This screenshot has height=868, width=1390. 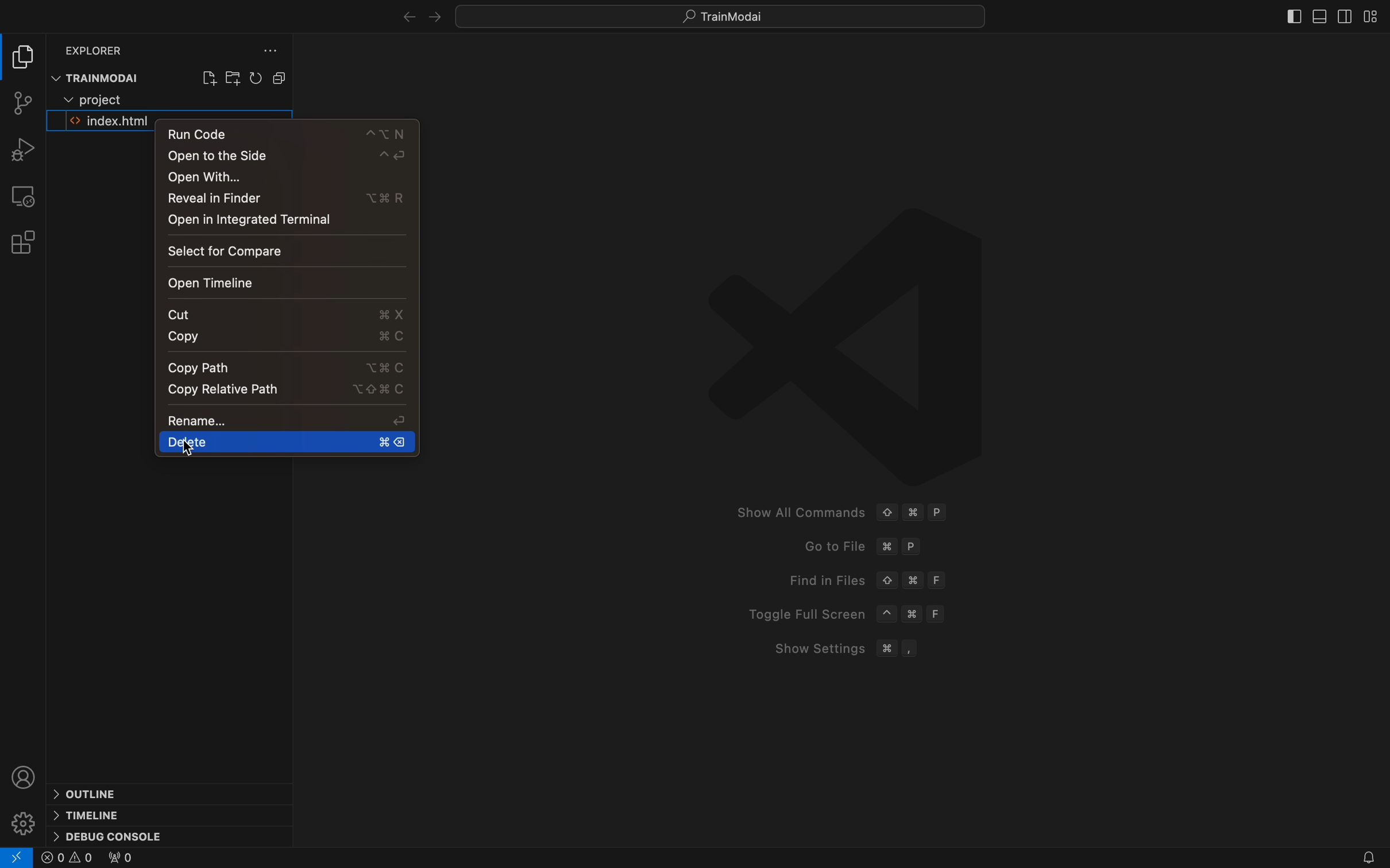 What do you see at coordinates (855, 649) in the screenshot?
I see `Show settings` at bounding box center [855, 649].